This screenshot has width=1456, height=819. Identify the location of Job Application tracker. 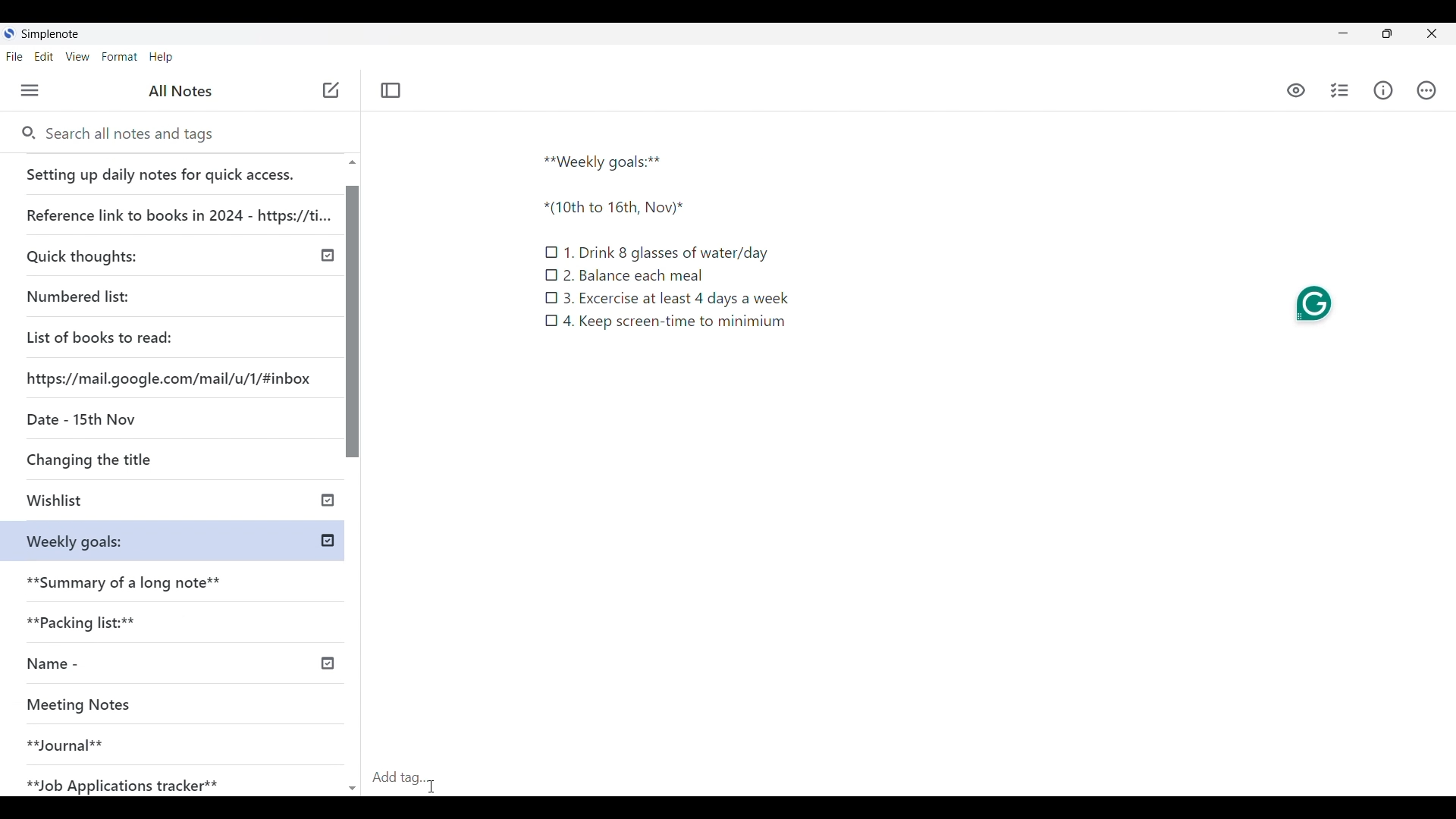
(130, 782).